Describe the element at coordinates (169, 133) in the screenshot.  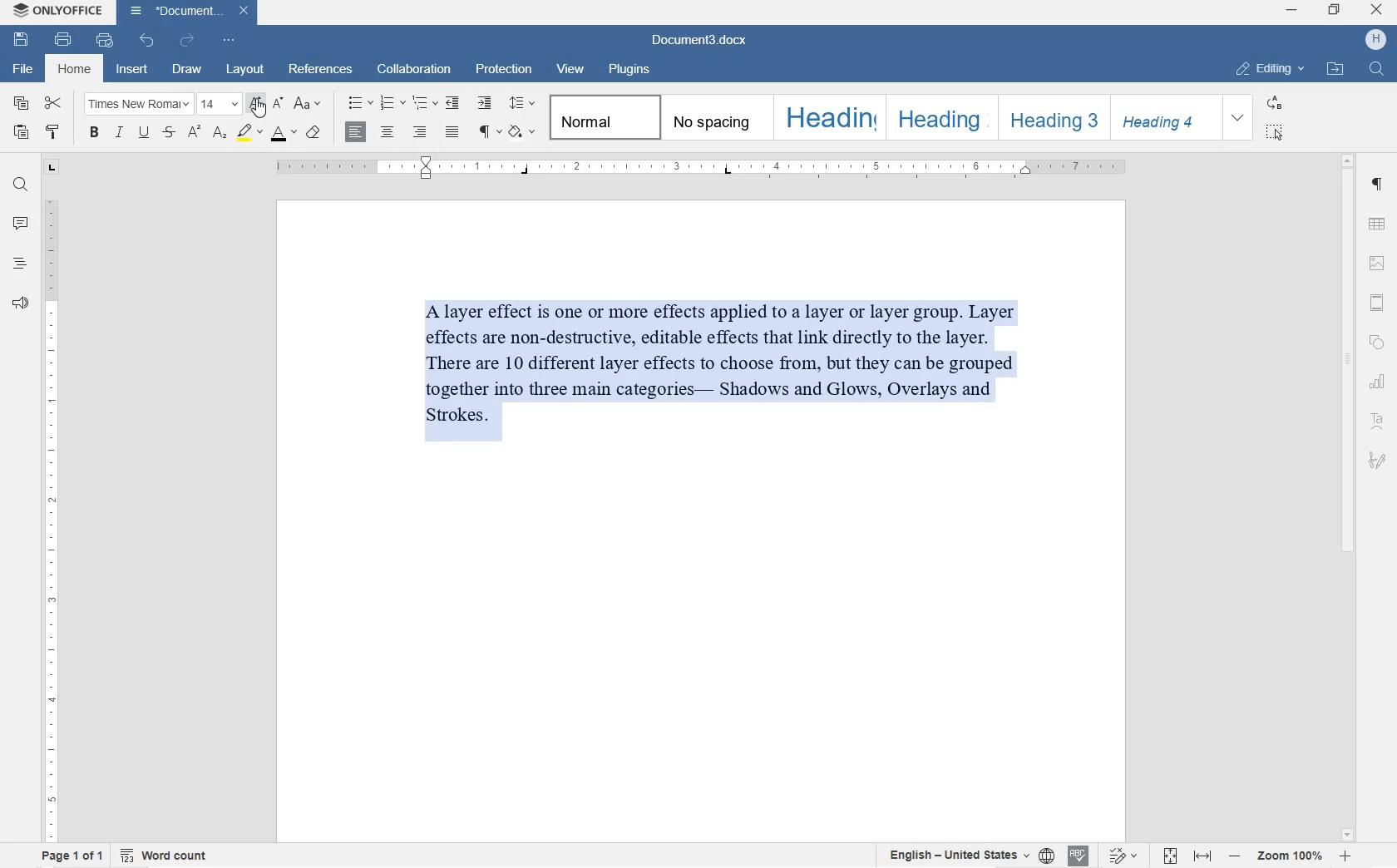
I see `STRIKETHROUGH` at that location.